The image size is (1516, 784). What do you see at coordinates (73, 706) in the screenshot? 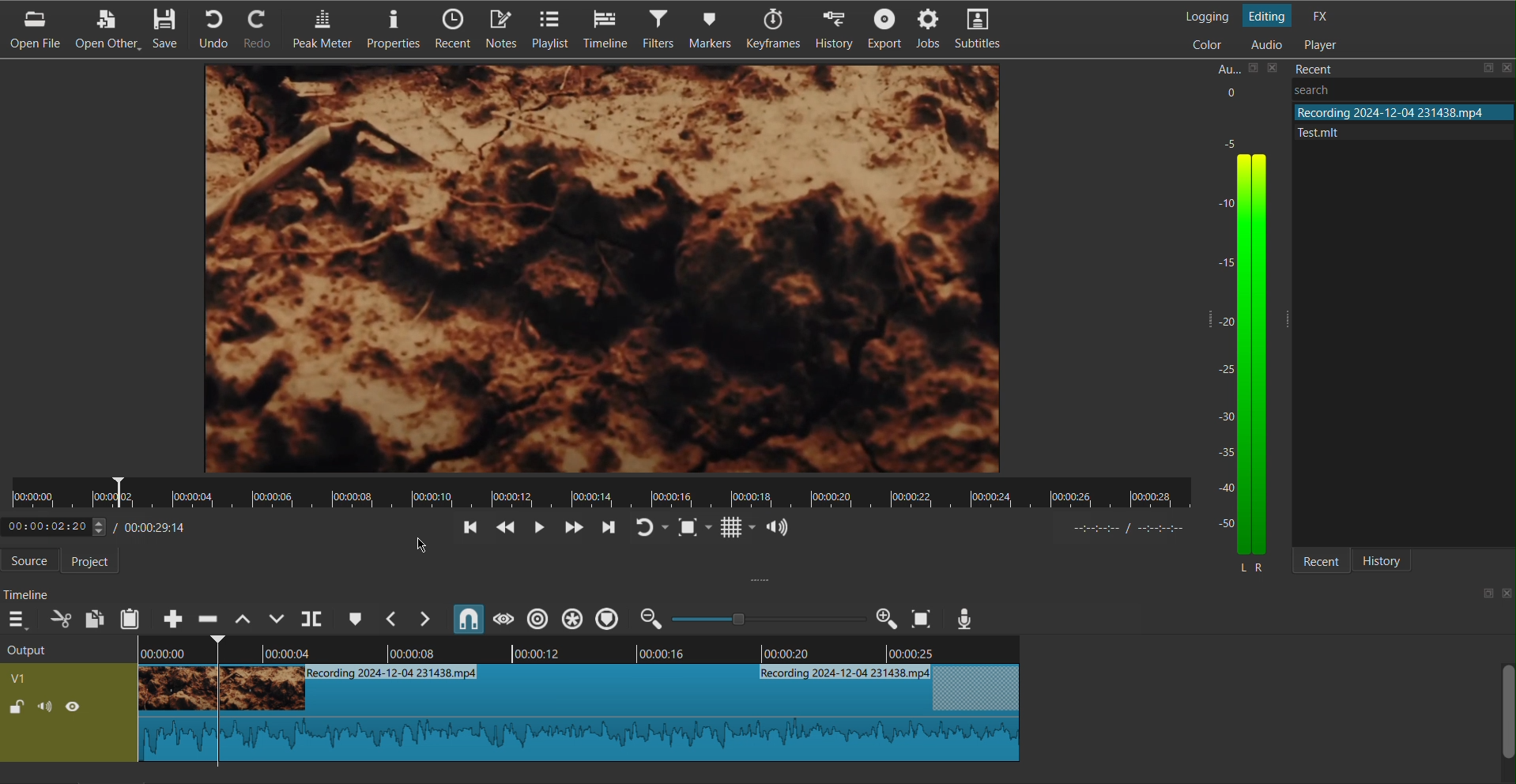
I see `(un)hide` at bounding box center [73, 706].